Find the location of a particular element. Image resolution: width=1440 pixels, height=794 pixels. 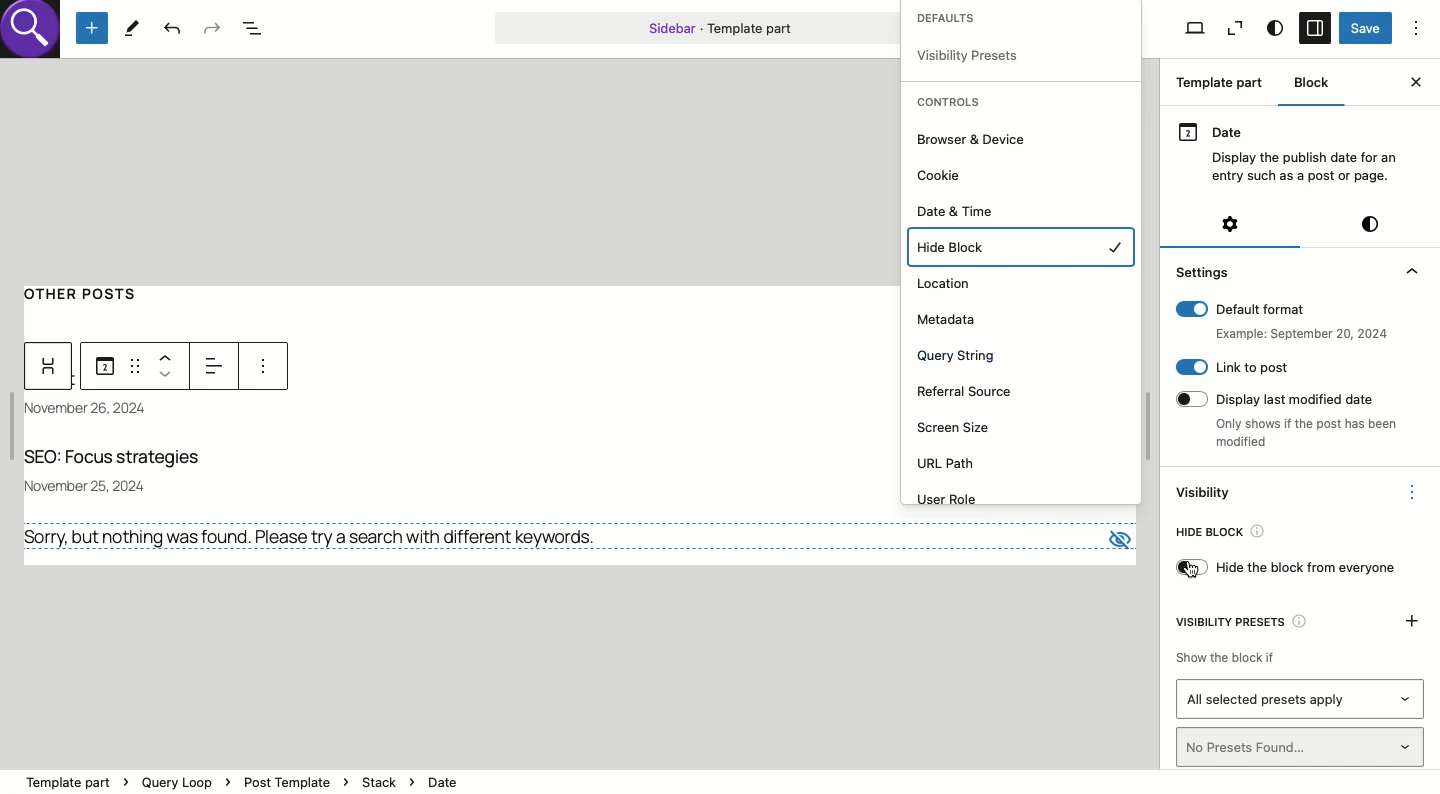

Add is located at coordinates (1413, 621).